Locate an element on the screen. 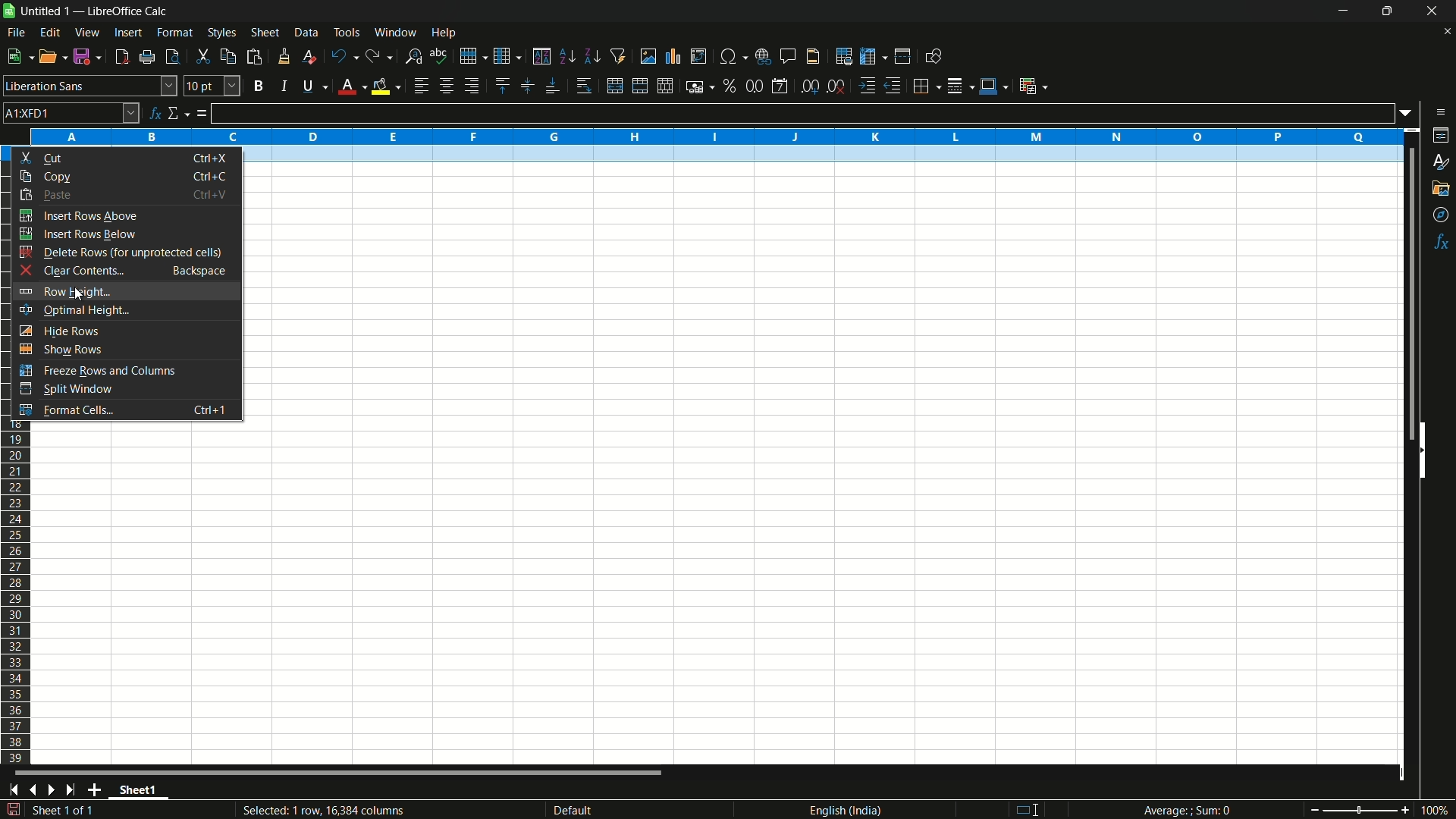 The image size is (1456, 819). decrease indentation is located at coordinates (894, 86).